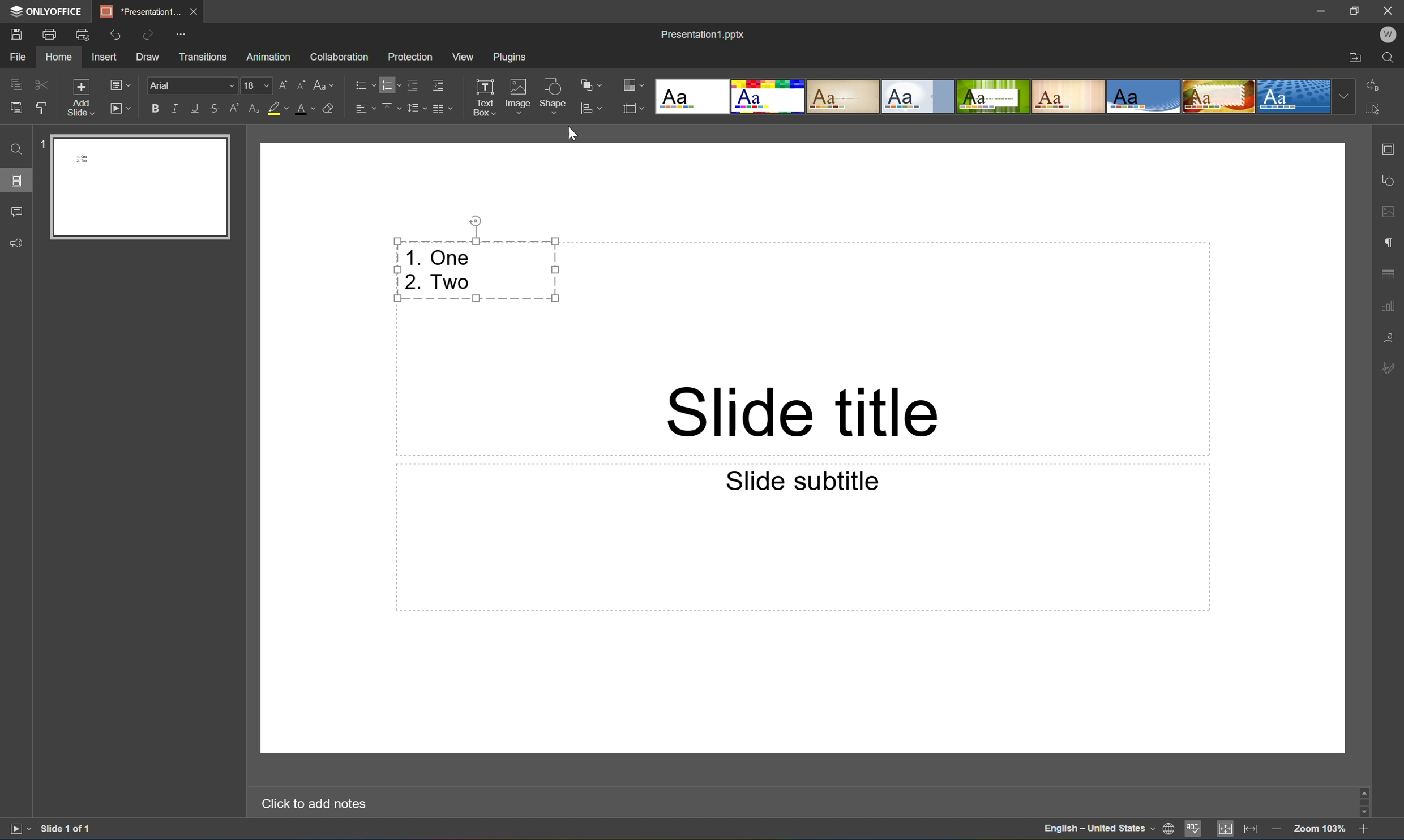 This screenshot has height=840, width=1404. I want to click on Table settings, so click(1389, 275).